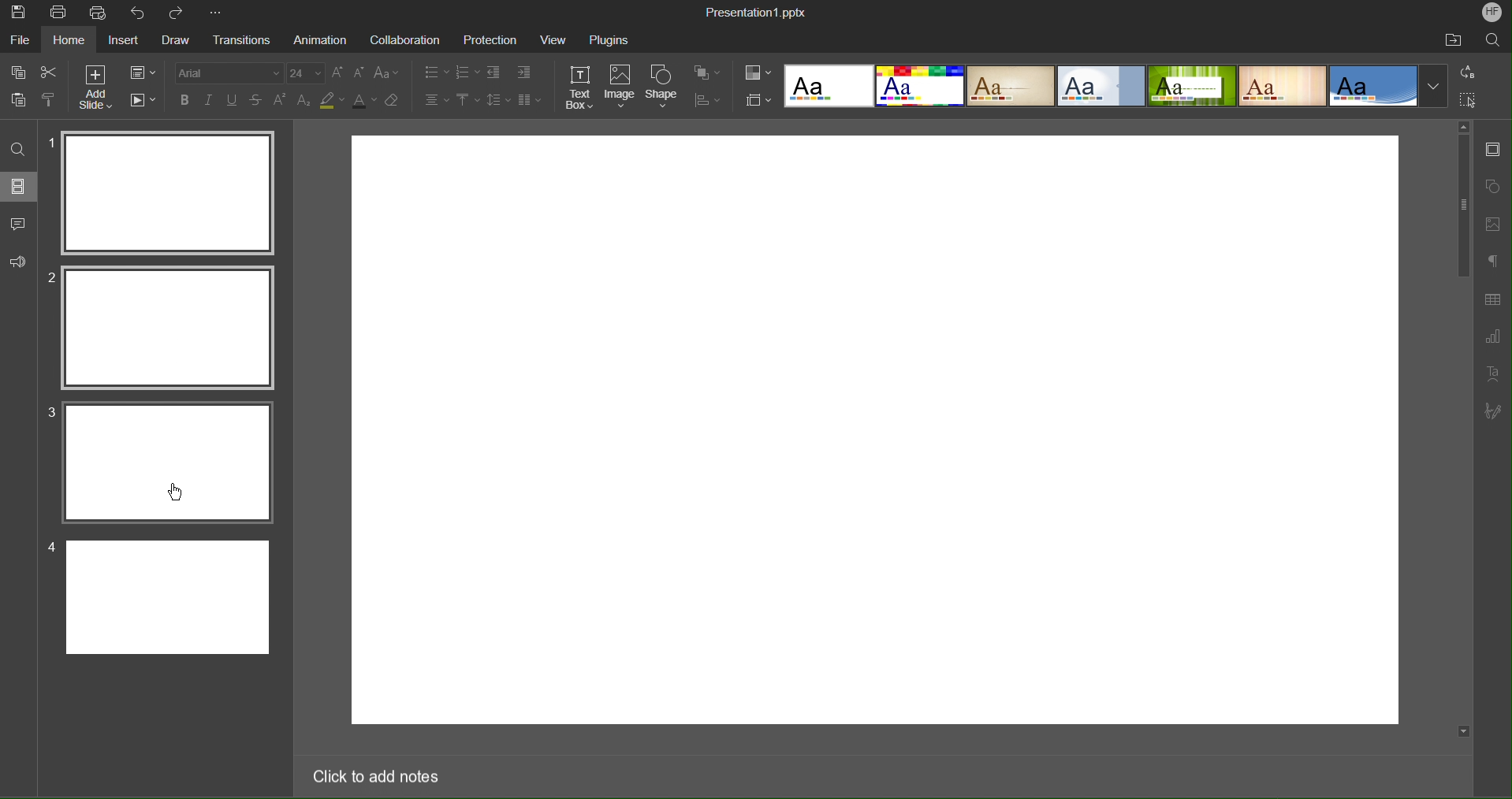 This screenshot has width=1512, height=799. Describe the element at coordinates (169, 463) in the screenshot. I see `Slide 3` at that location.